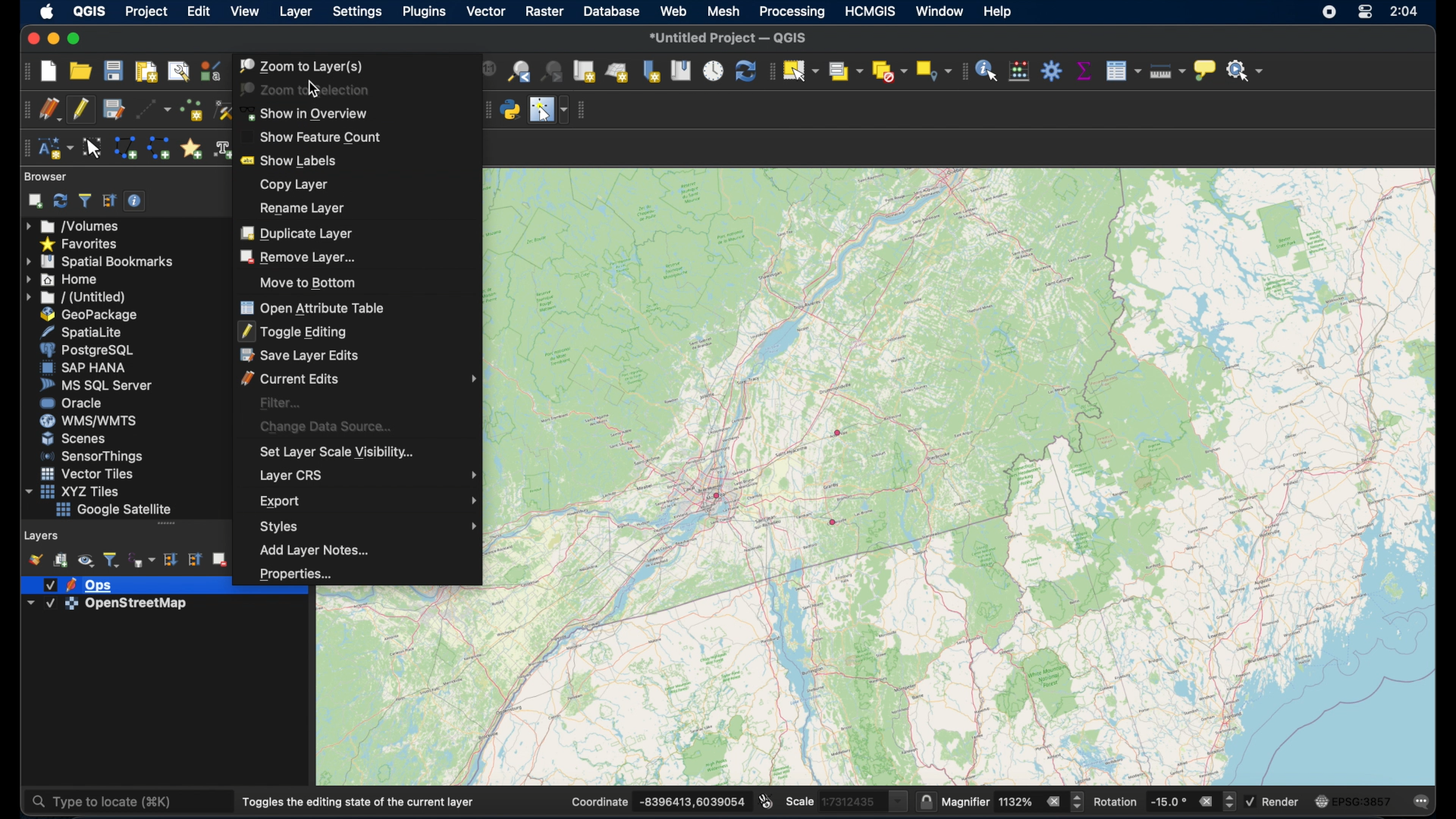 The height and width of the screenshot is (819, 1456). I want to click on apple logo, so click(46, 11).